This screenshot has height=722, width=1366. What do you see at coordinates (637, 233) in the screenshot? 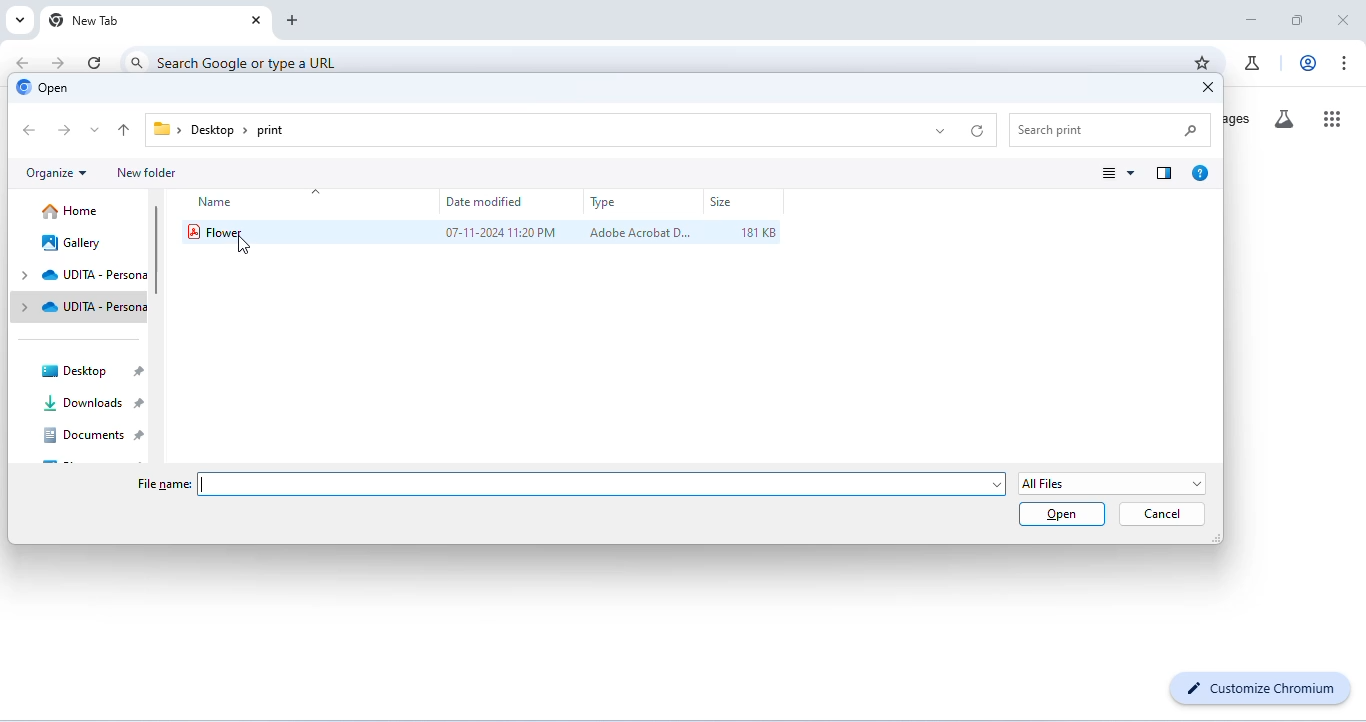
I see `adobe acrobat file` at bounding box center [637, 233].